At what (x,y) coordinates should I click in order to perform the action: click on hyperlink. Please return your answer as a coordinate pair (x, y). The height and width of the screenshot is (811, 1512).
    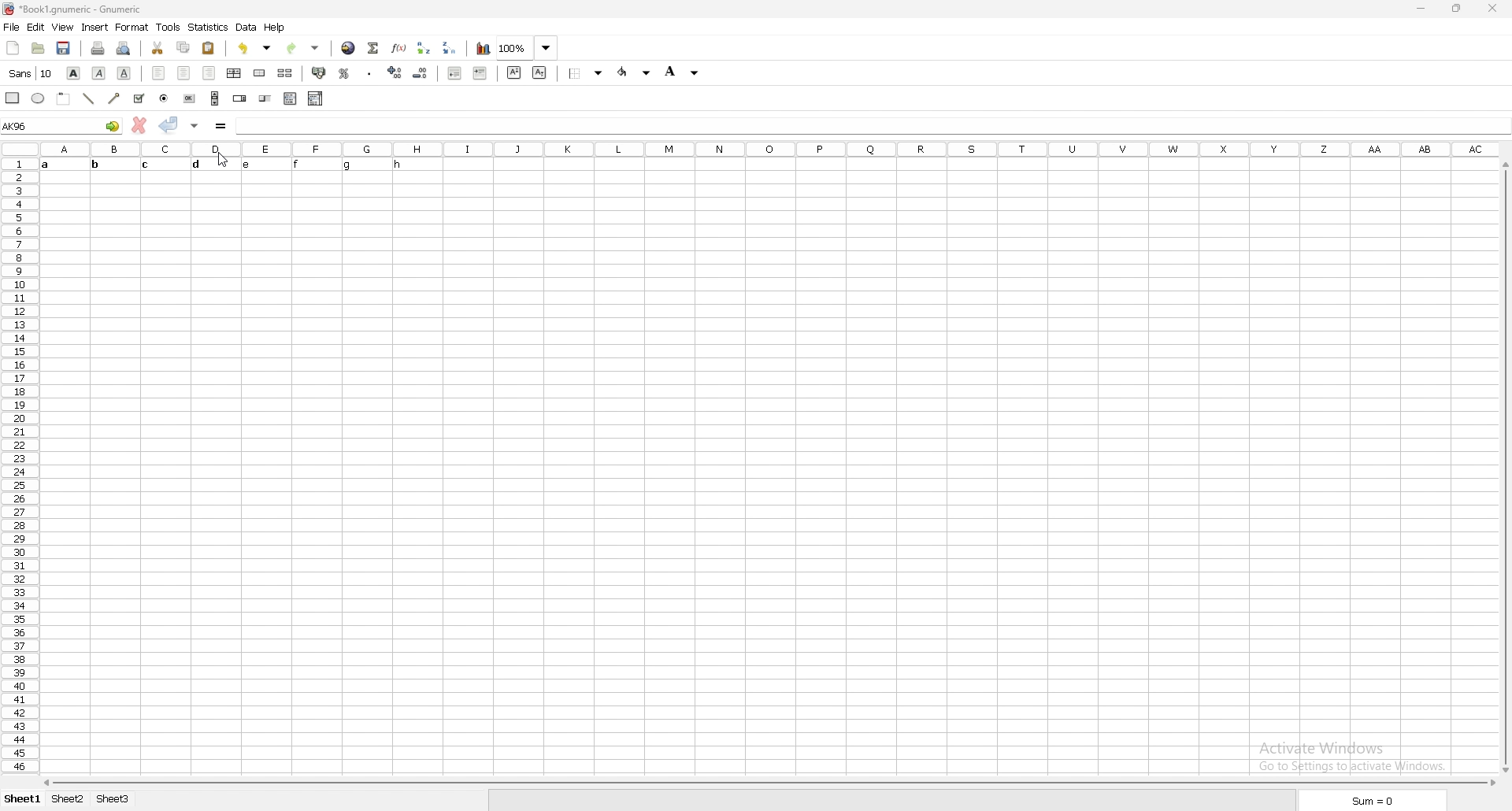
    Looking at the image, I should click on (348, 48).